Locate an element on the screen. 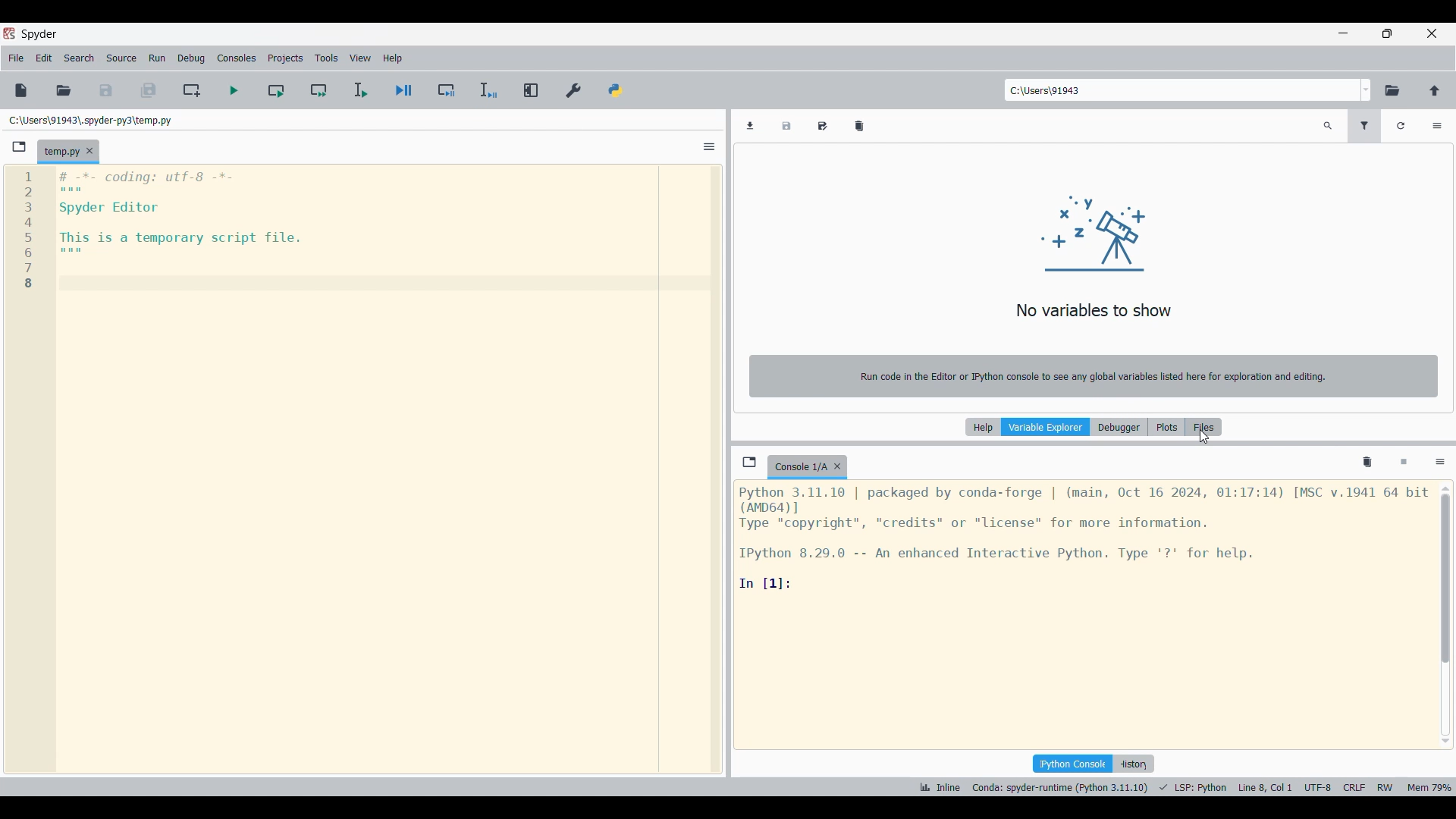 The image size is (1456, 819). Remove all variables from namespace is located at coordinates (1367, 463).